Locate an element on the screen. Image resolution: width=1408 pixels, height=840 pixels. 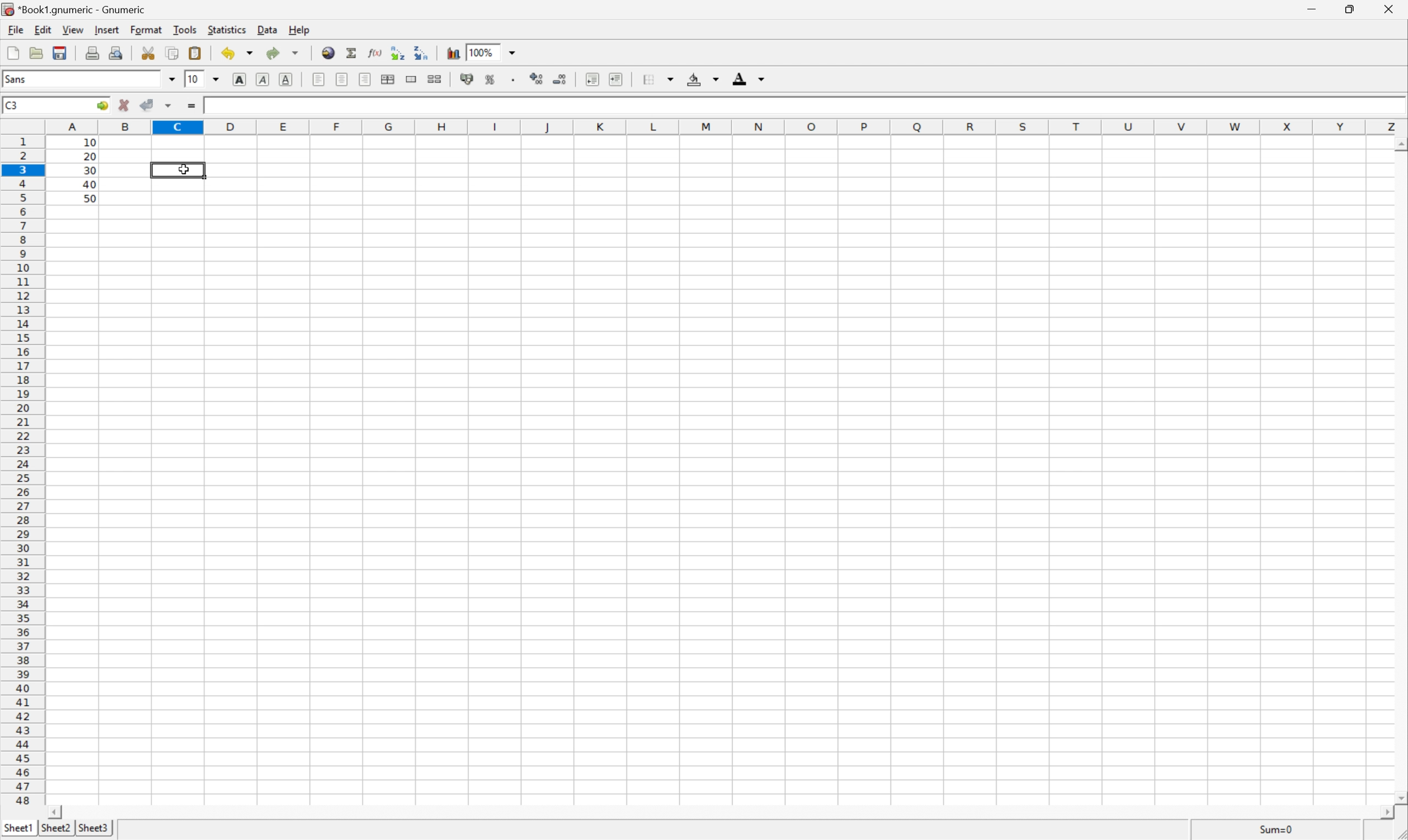
10 is located at coordinates (89, 143).